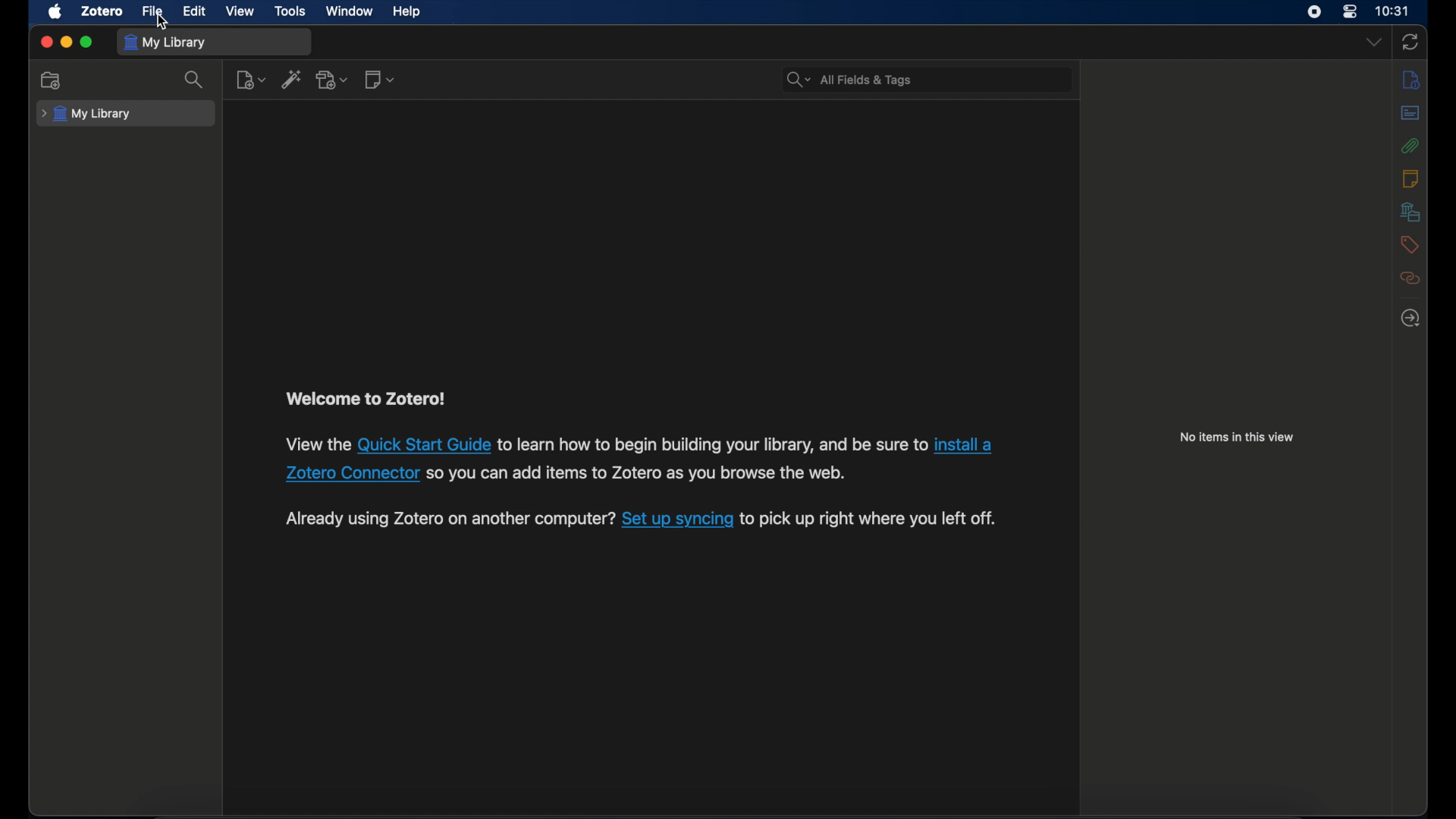 This screenshot has width=1456, height=819. Describe the element at coordinates (350, 475) in the screenshot. I see `` at that location.